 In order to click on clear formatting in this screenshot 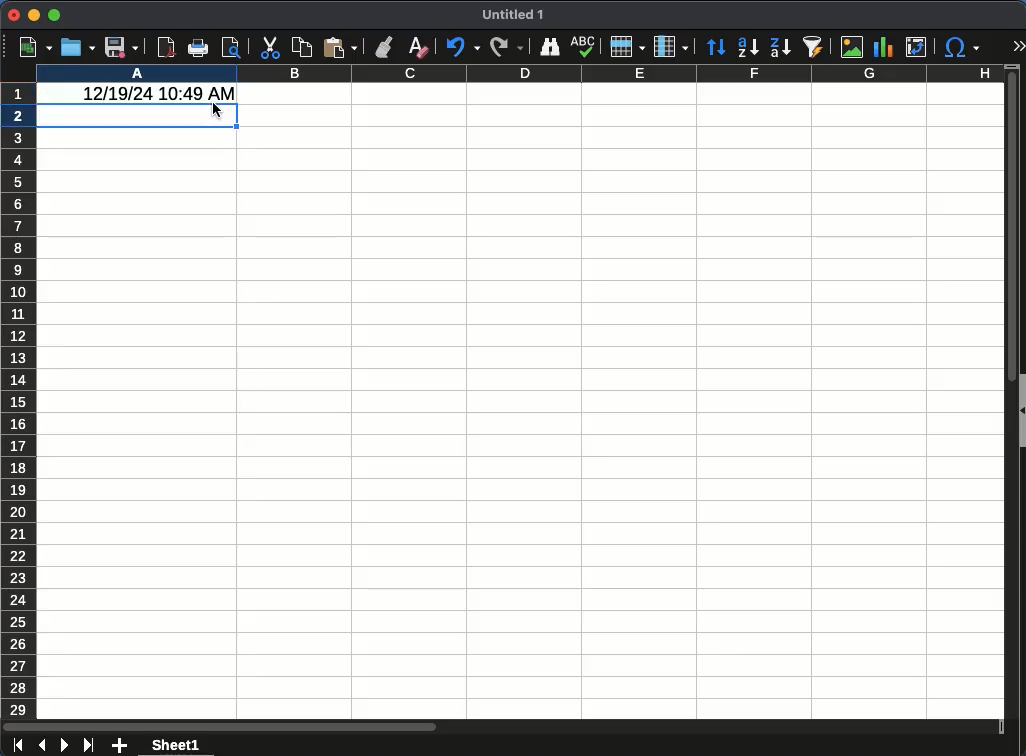, I will do `click(417, 45)`.